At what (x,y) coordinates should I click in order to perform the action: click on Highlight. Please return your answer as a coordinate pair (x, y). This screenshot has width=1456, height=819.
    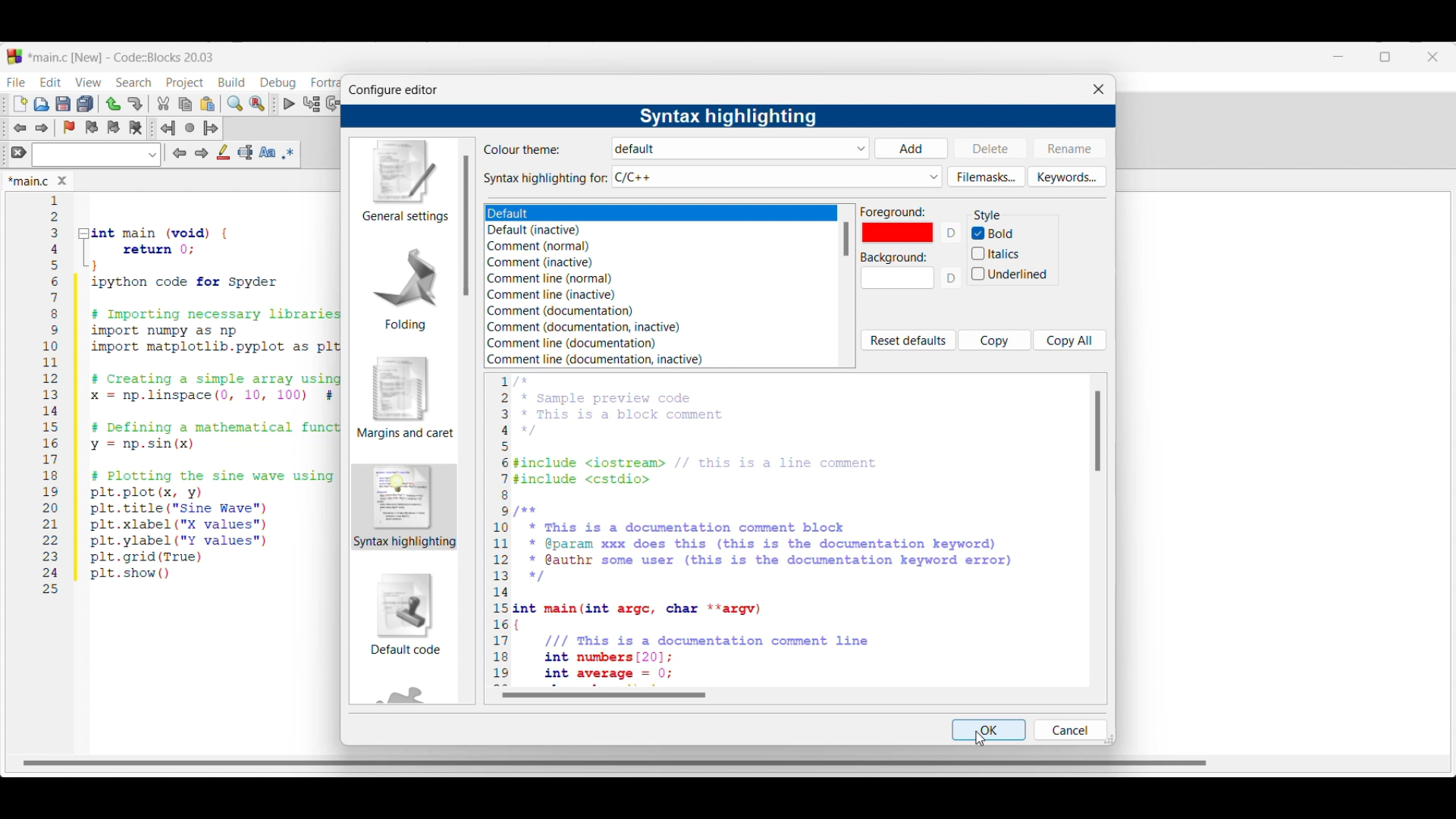
    Looking at the image, I should click on (223, 152).